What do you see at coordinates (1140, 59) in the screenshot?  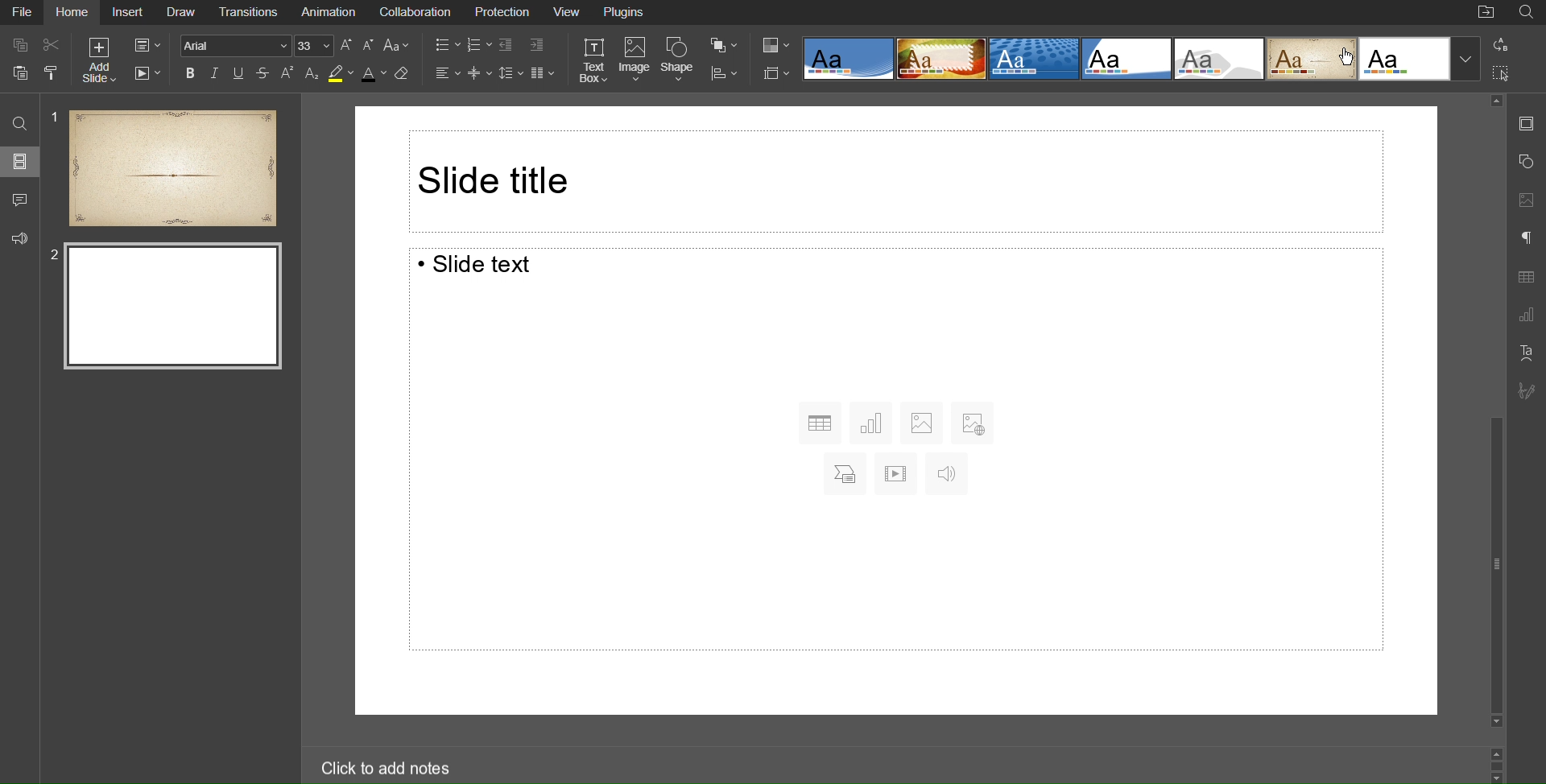 I see `Templates` at bounding box center [1140, 59].